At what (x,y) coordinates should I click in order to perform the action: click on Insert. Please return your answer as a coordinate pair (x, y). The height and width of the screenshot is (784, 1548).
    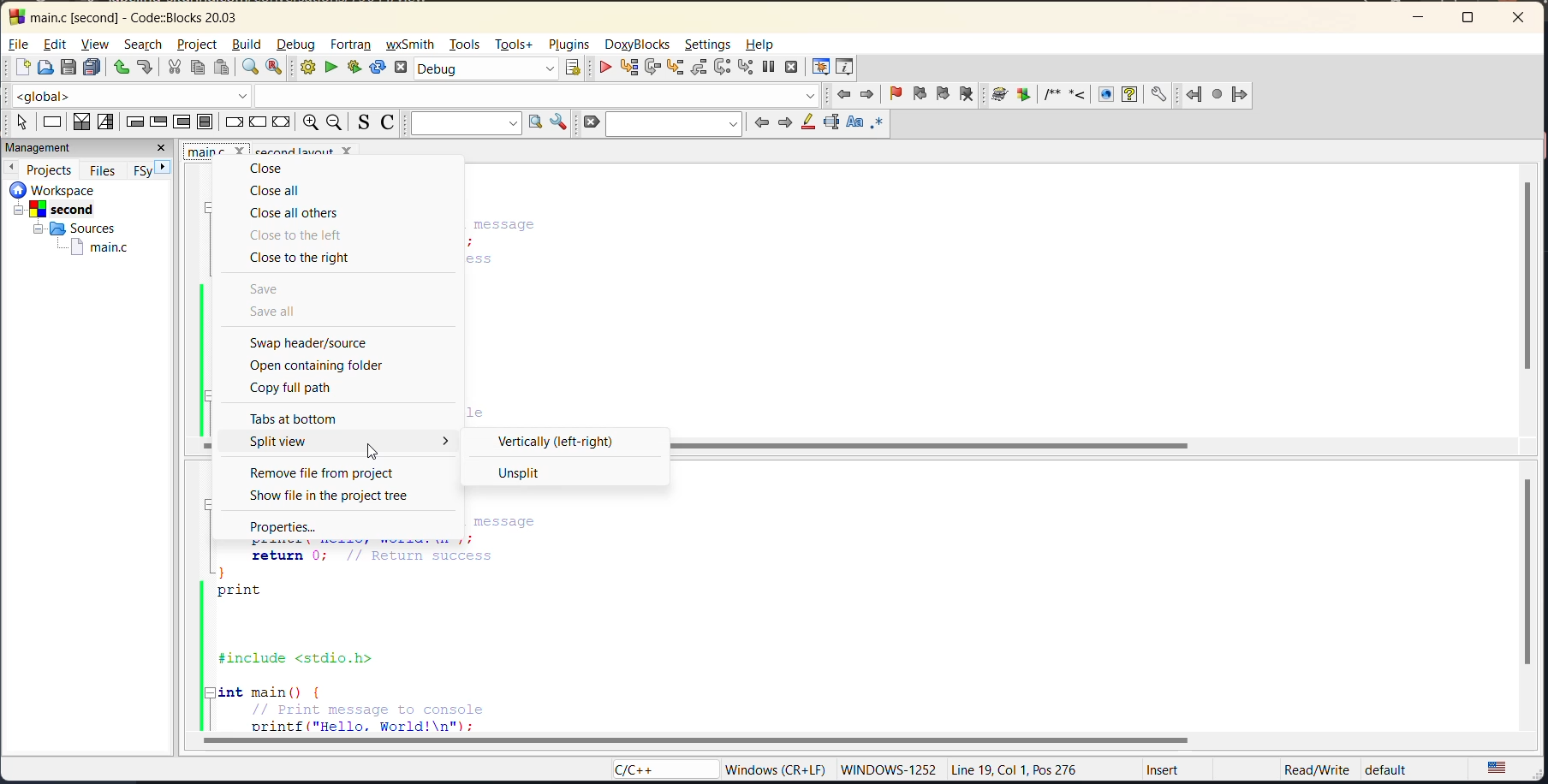
    Looking at the image, I should click on (1164, 771).